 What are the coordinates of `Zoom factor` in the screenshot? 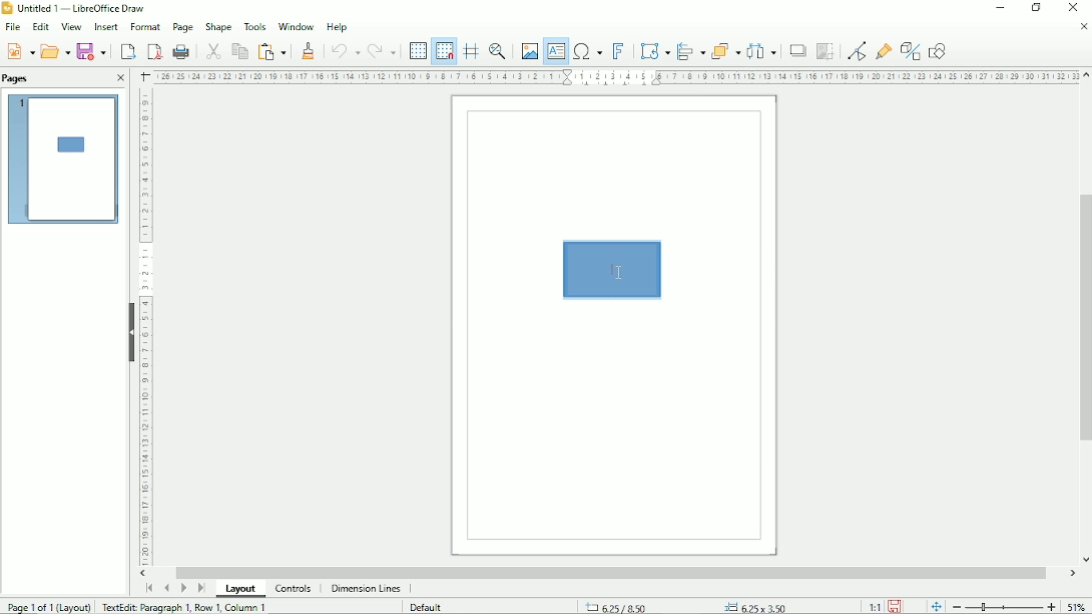 It's located at (1076, 605).